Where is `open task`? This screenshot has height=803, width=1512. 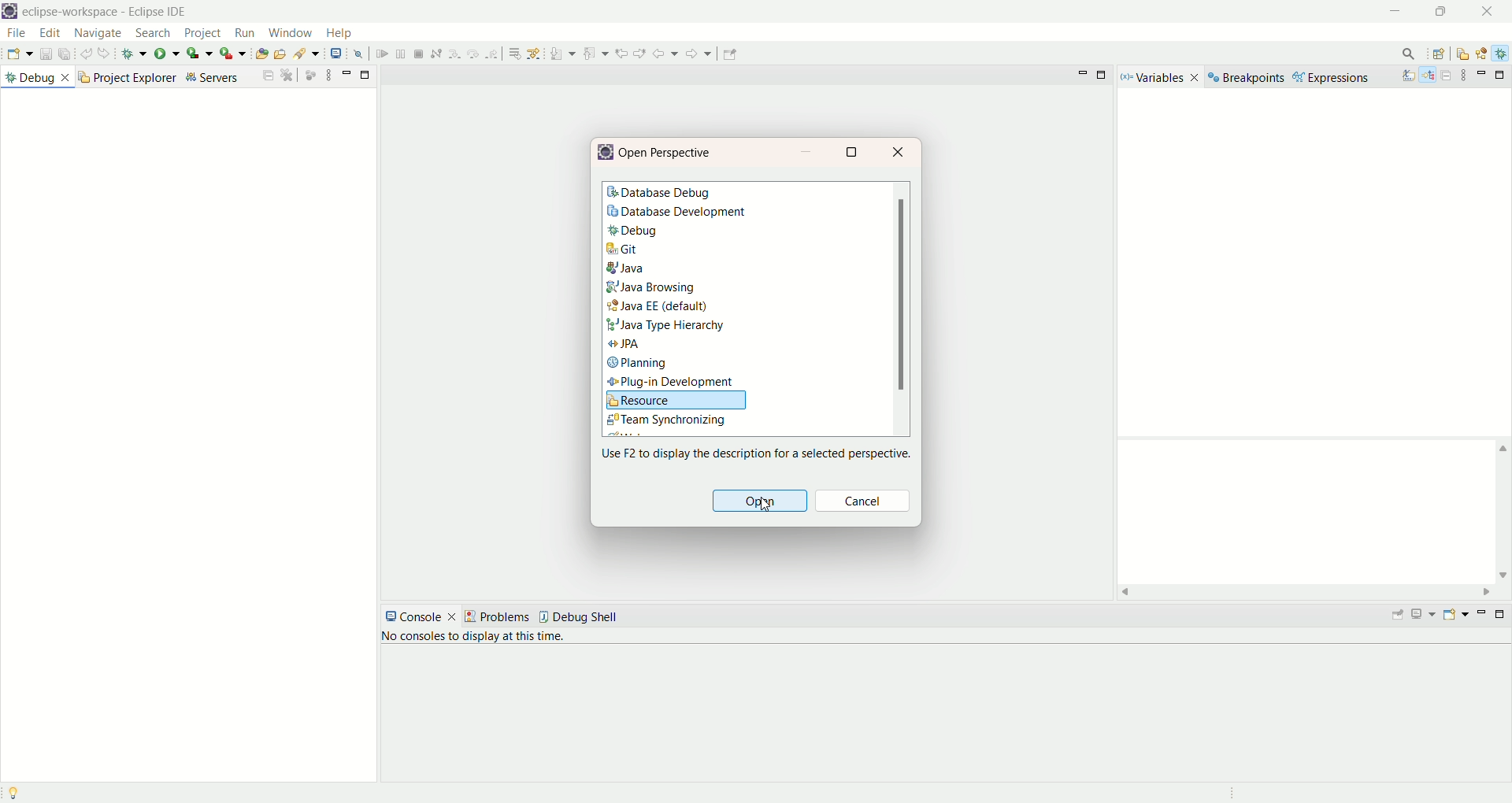
open task is located at coordinates (350, 53).